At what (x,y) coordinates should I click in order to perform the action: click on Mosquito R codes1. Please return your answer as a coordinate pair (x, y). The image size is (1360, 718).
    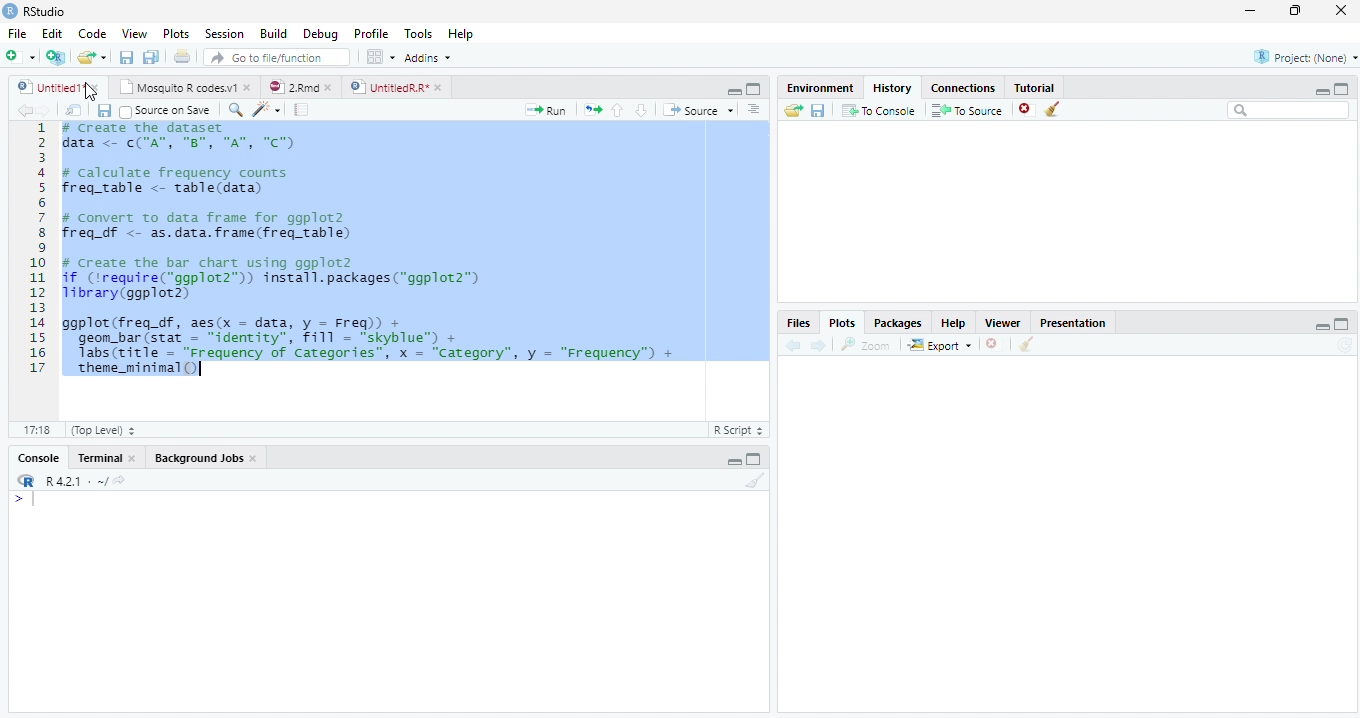
    Looking at the image, I should click on (184, 90).